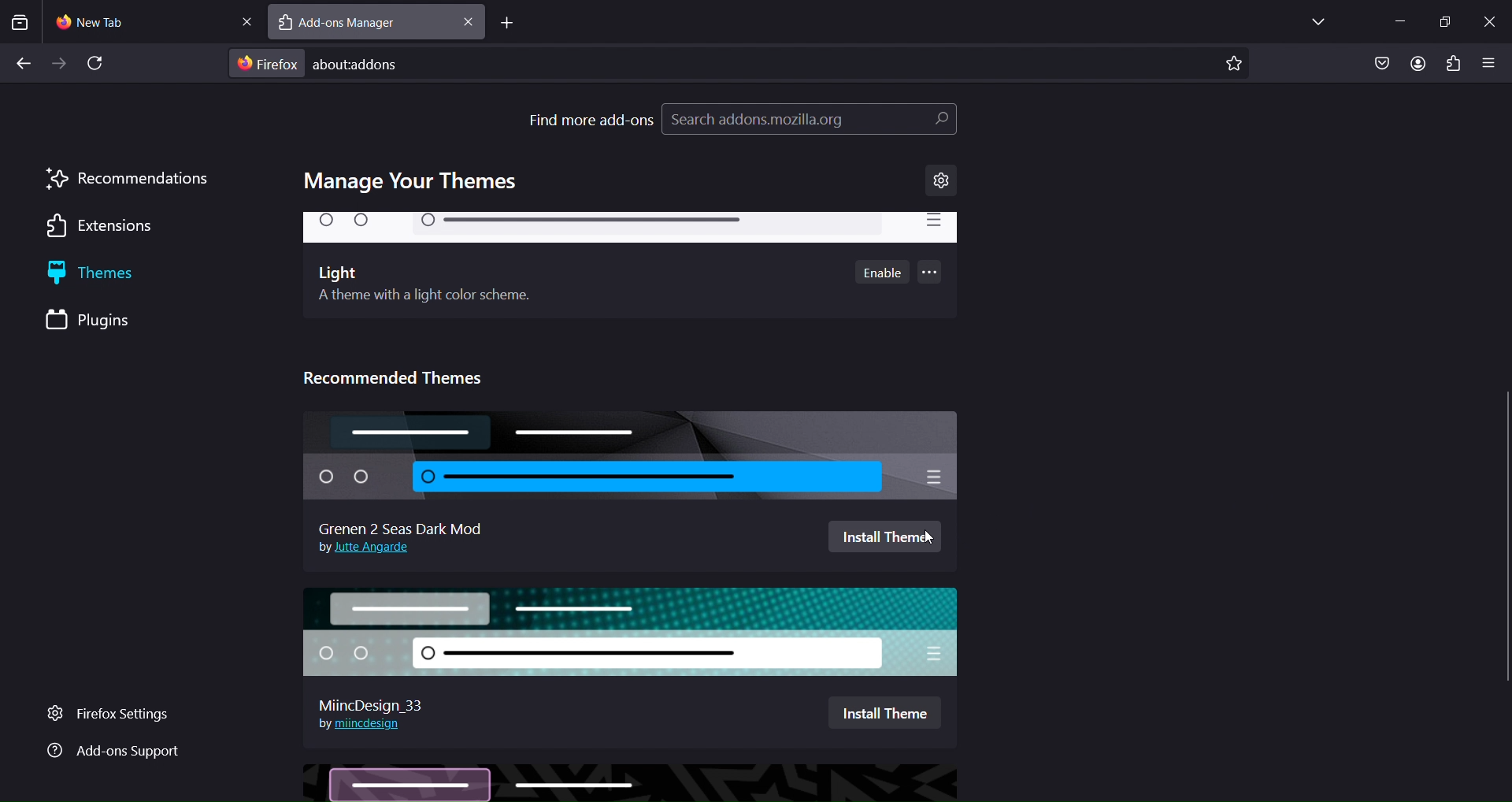  I want to click on reload page, so click(100, 64).